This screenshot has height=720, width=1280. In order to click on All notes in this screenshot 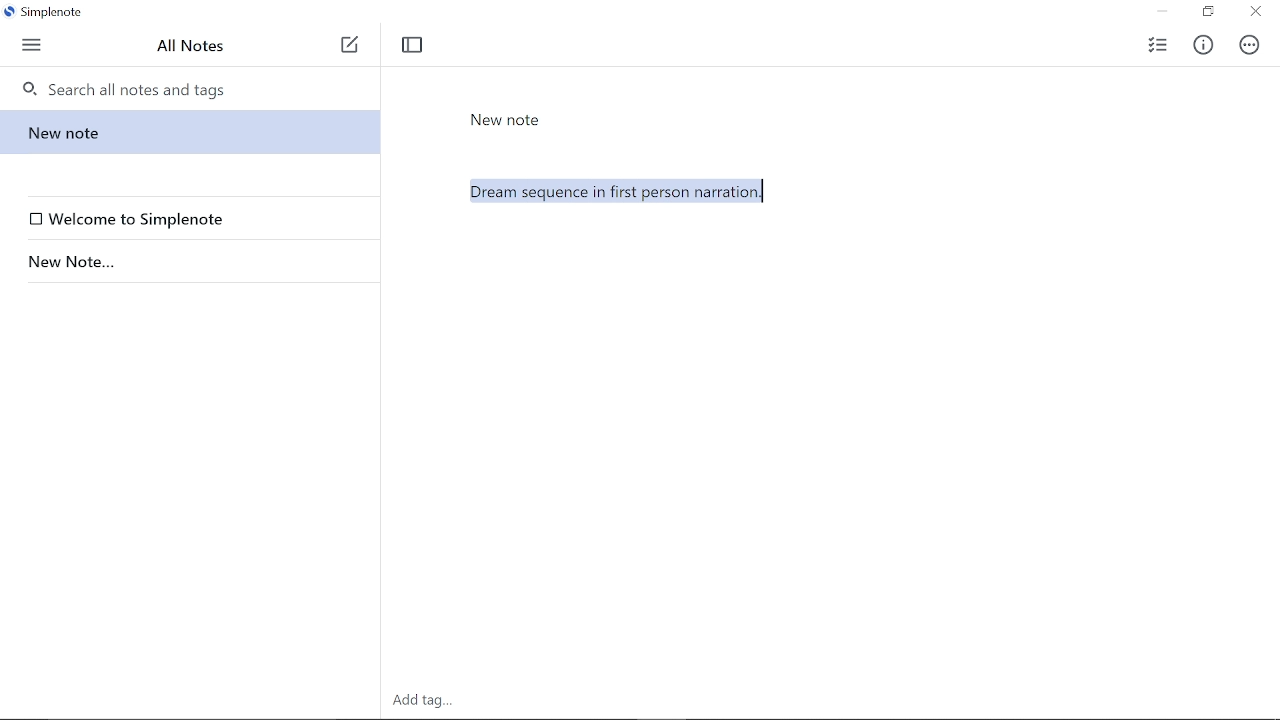, I will do `click(192, 45)`.